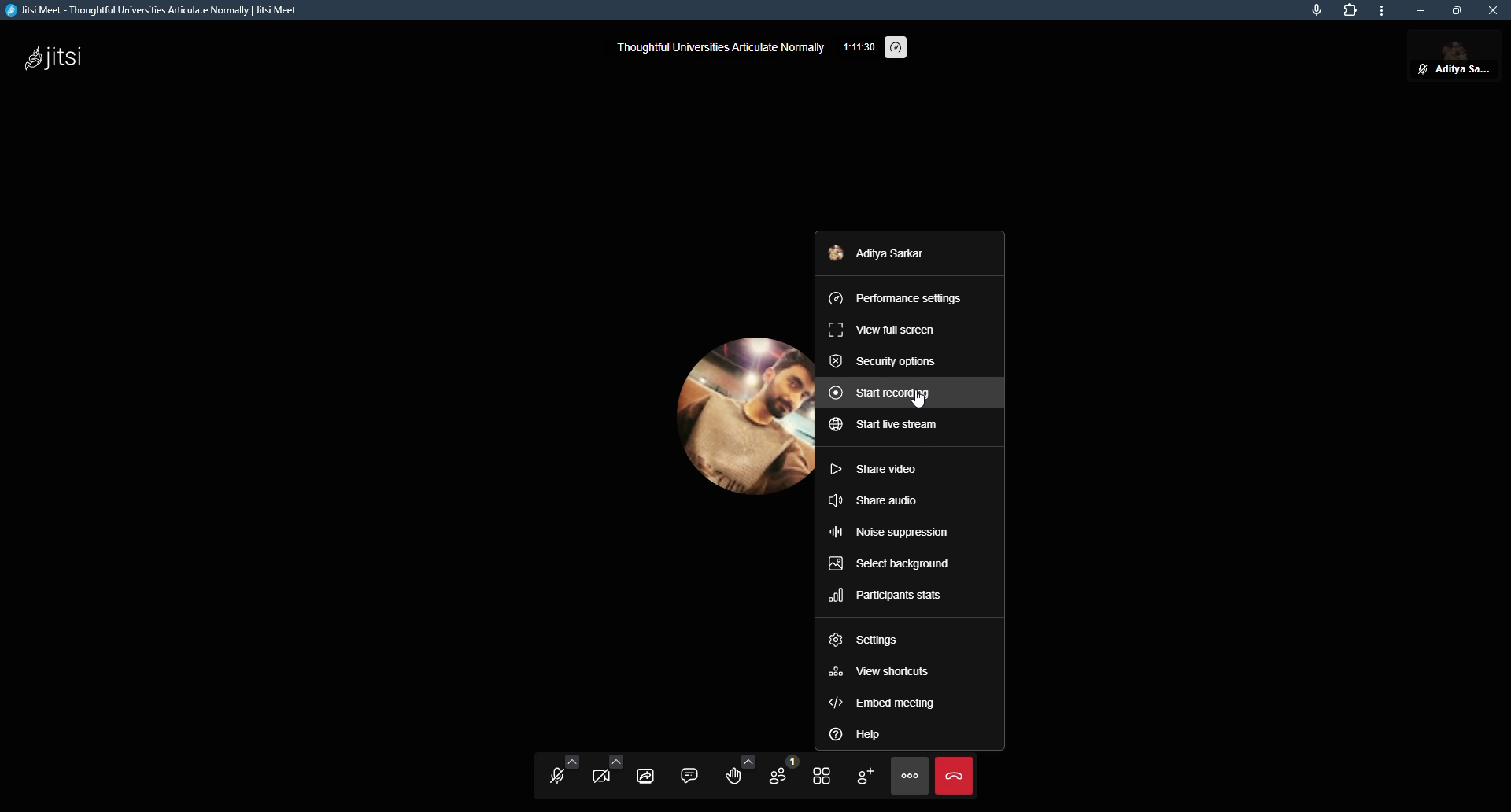 This screenshot has width=1511, height=812. I want to click on Jitsi Meet - Thoughtful Universities Articulate Normally | Jitsi Meet, so click(172, 12).